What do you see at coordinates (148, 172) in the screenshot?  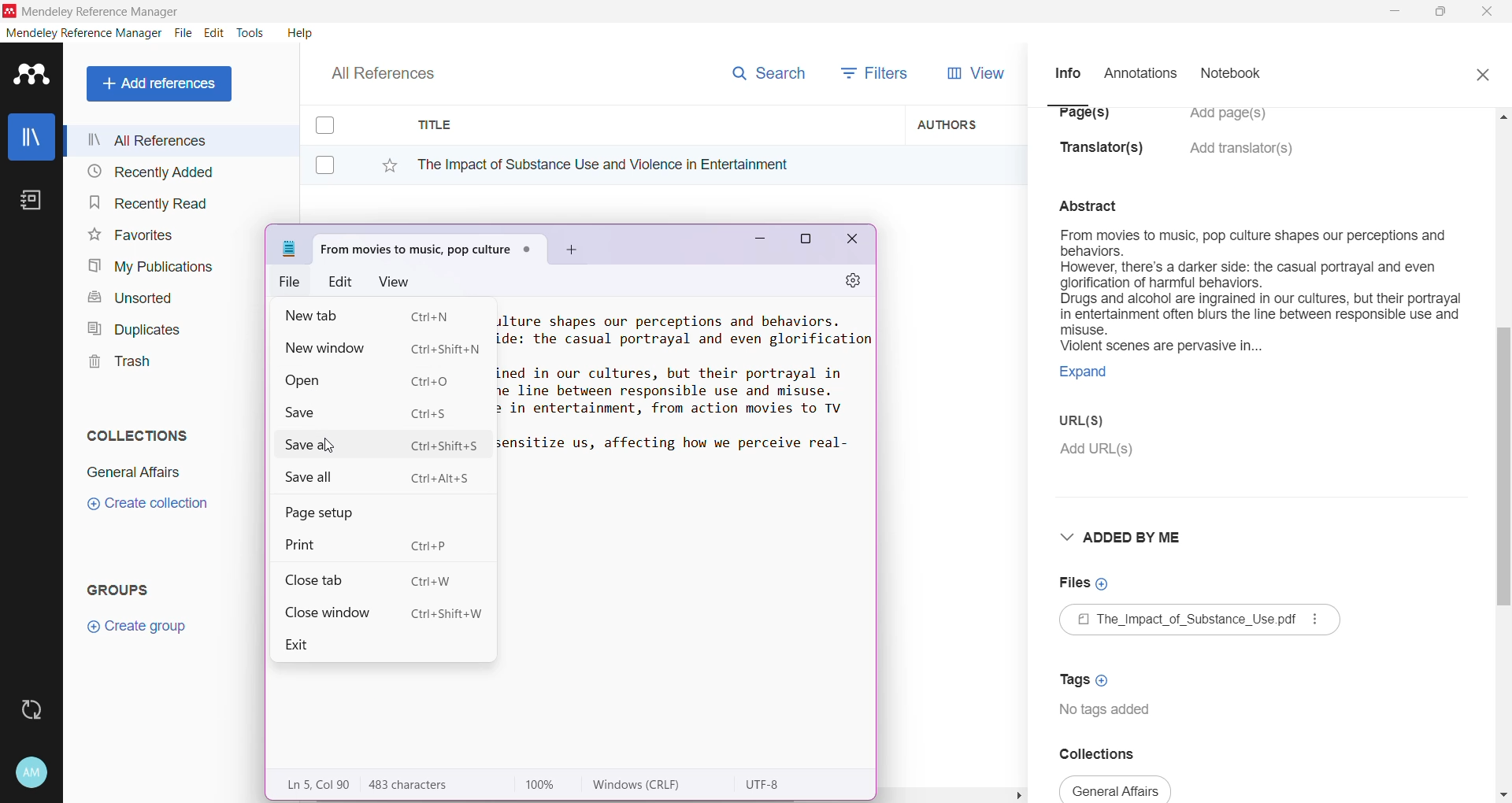 I see `Recently Added` at bounding box center [148, 172].